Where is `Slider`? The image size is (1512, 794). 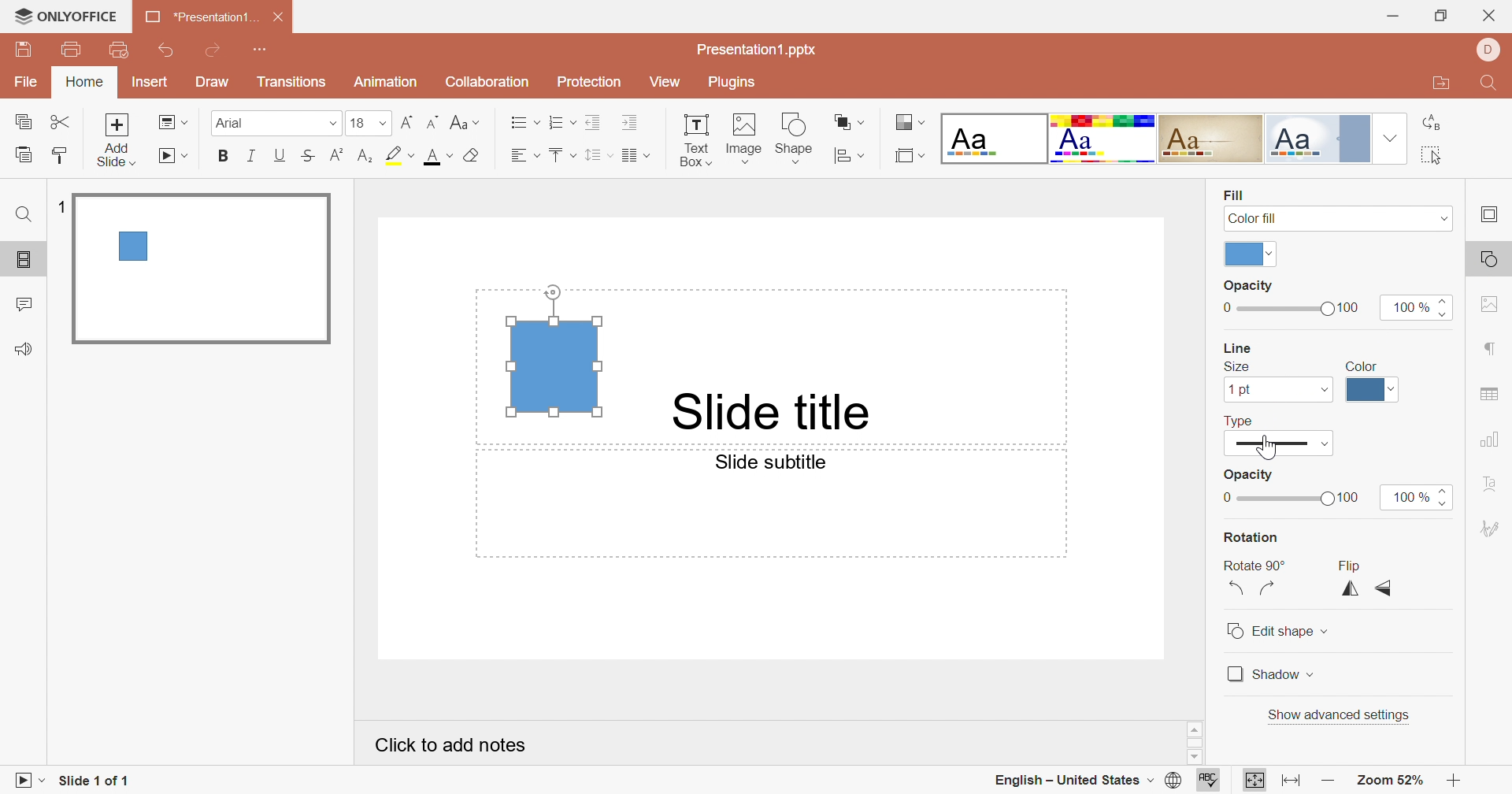 Slider is located at coordinates (1445, 497).